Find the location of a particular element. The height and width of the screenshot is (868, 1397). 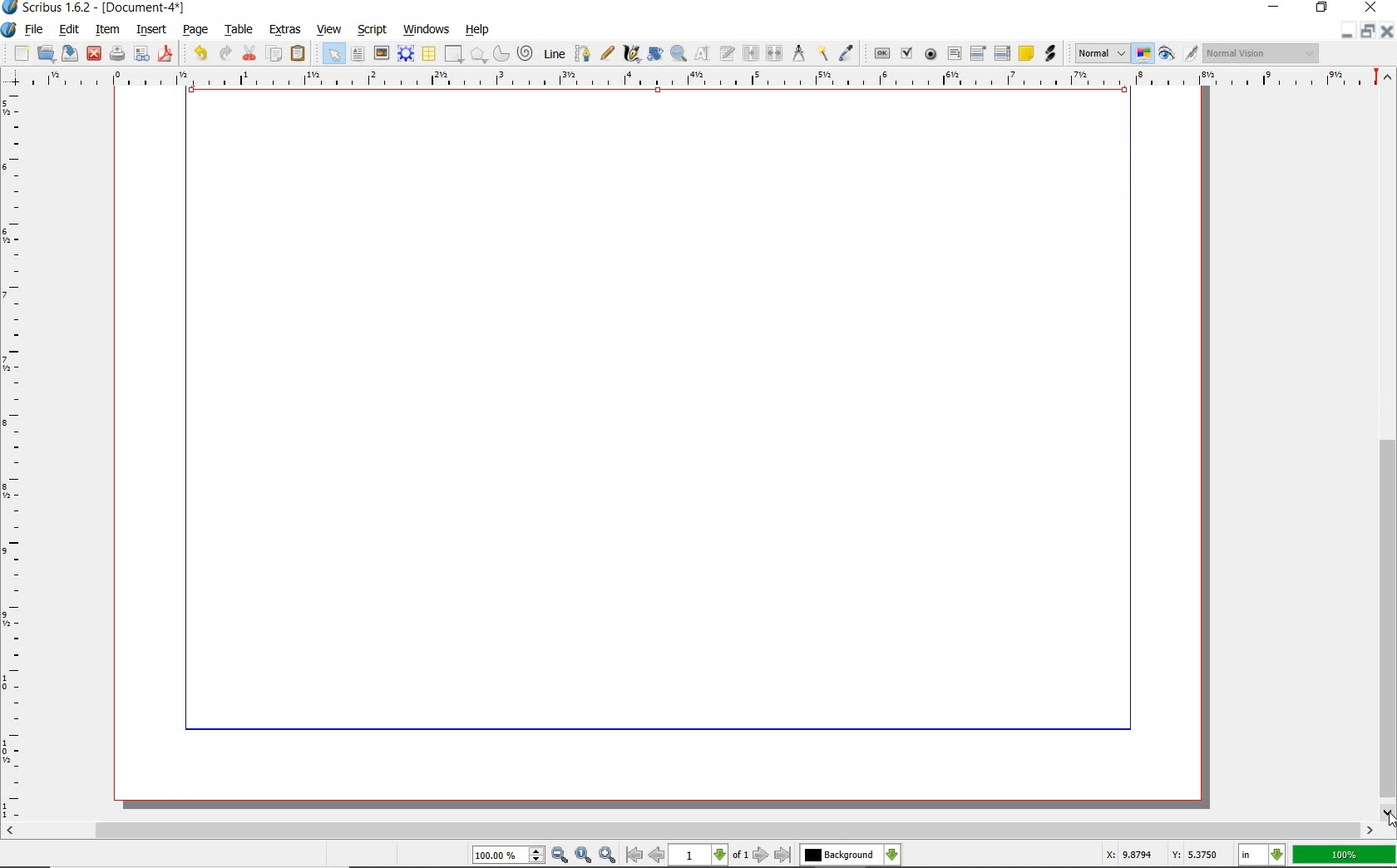

go to last page is located at coordinates (782, 855).